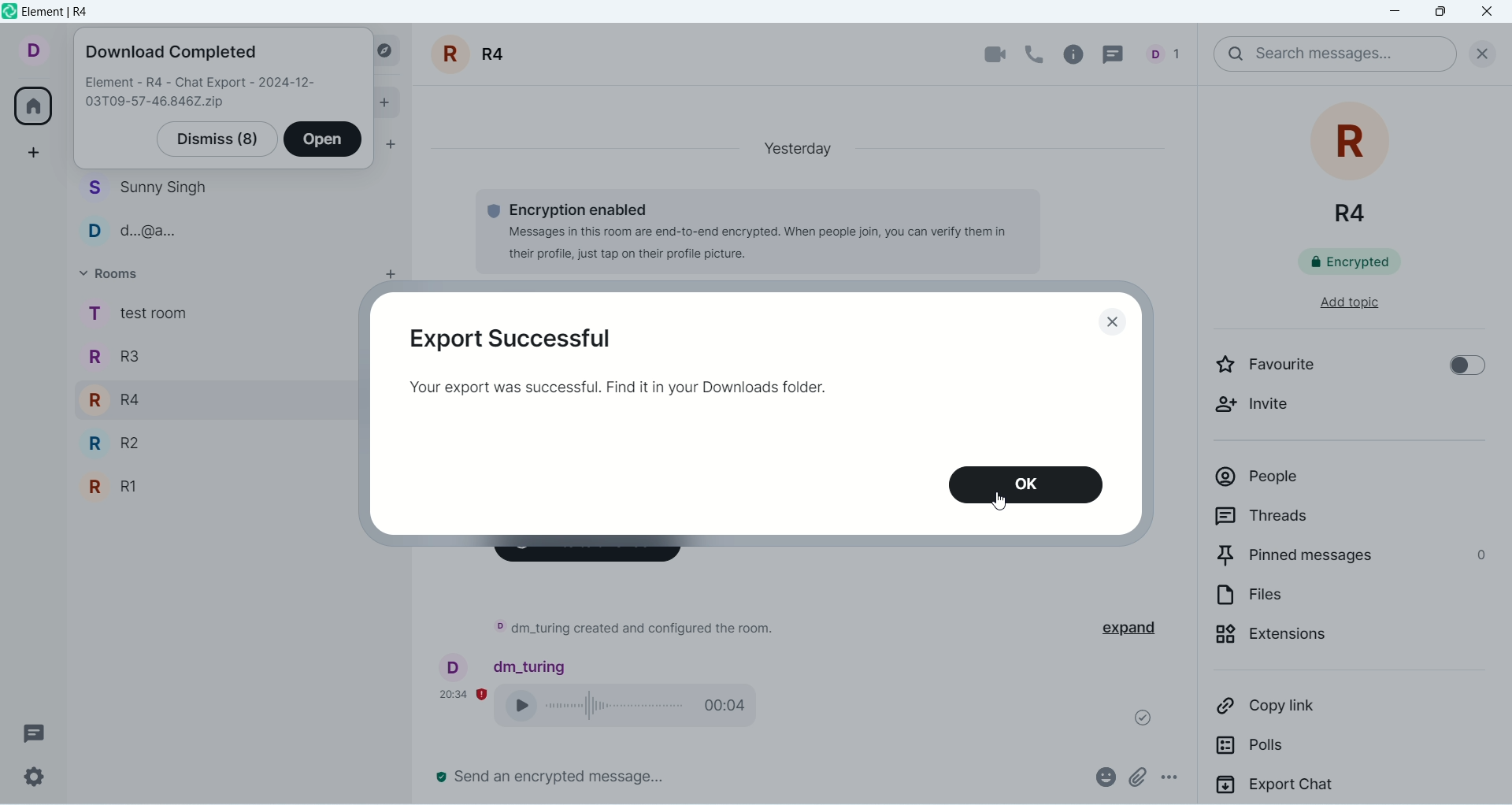 This screenshot has height=805, width=1512. What do you see at coordinates (1140, 629) in the screenshot?
I see `expand` at bounding box center [1140, 629].